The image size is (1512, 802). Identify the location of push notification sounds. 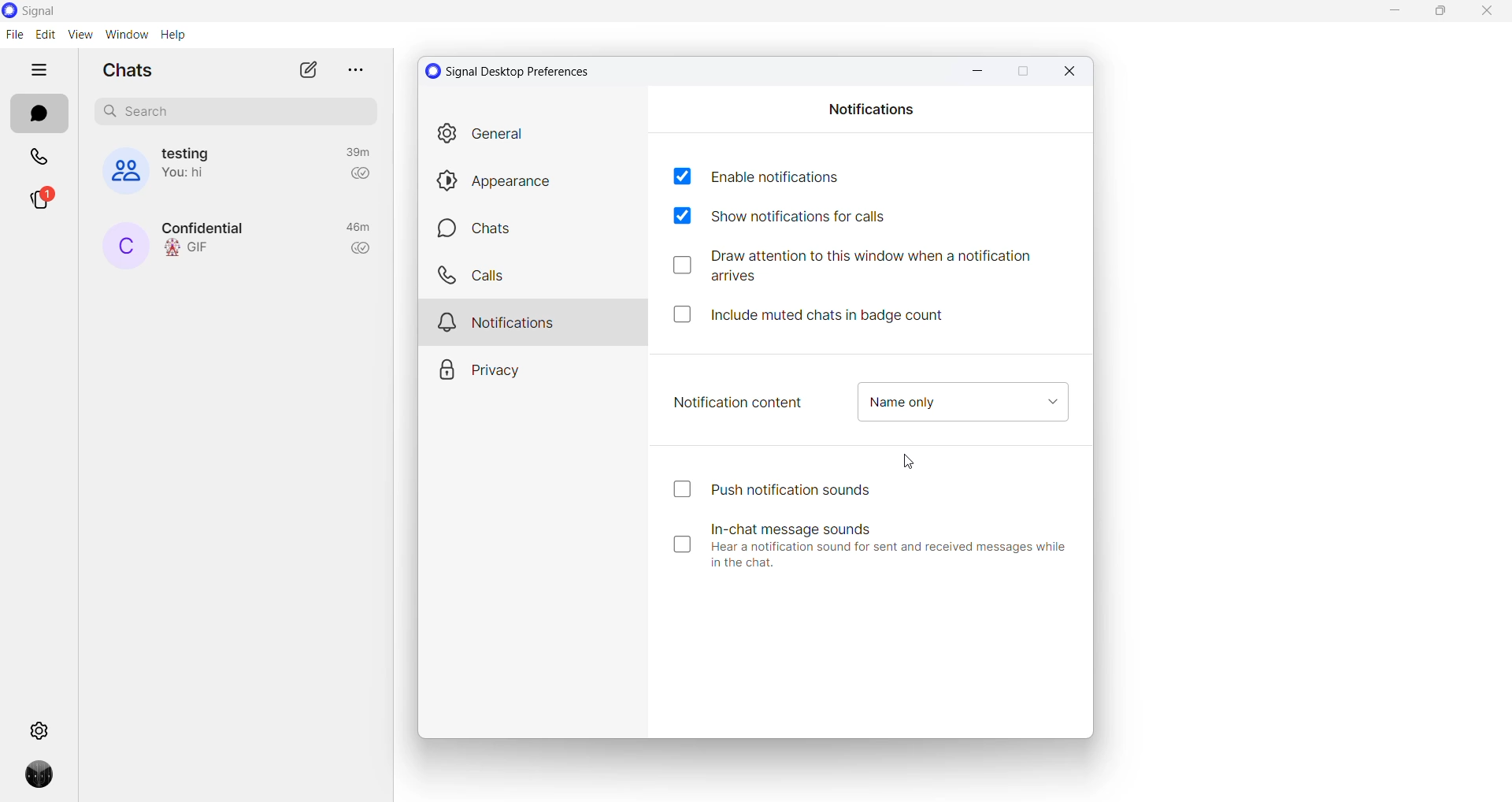
(765, 489).